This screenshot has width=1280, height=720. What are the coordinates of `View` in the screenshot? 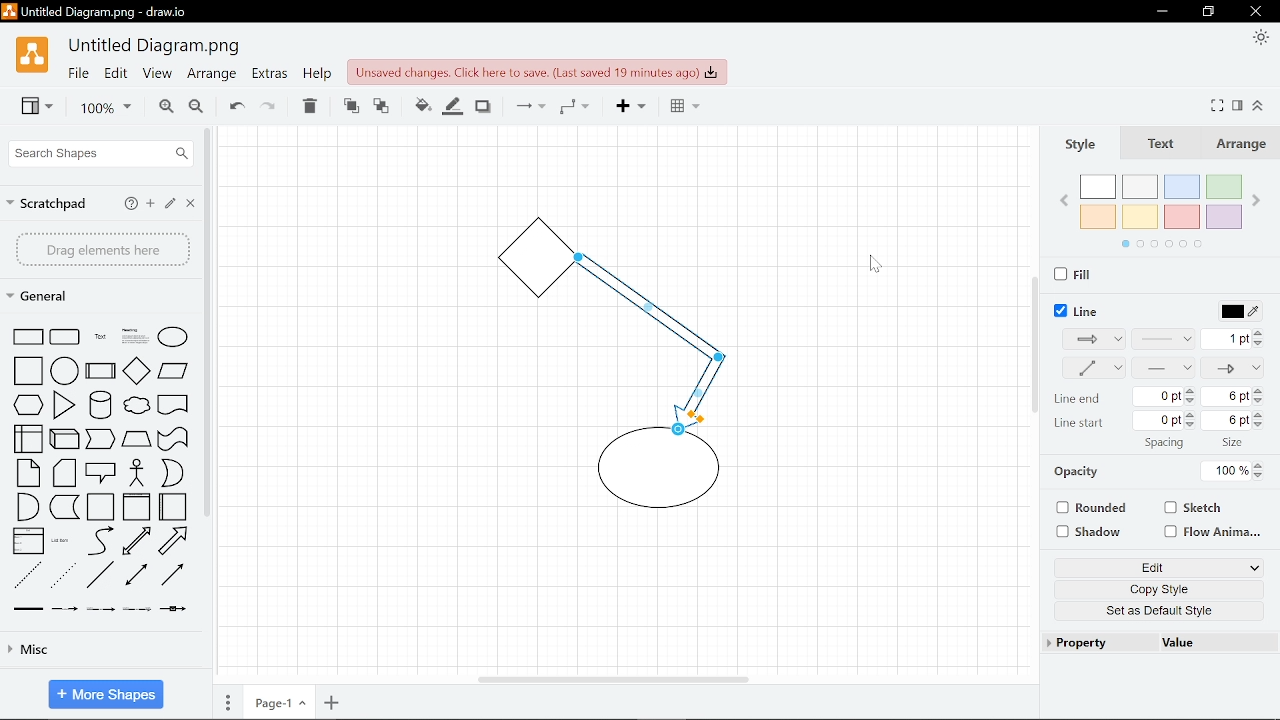 It's located at (30, 108).